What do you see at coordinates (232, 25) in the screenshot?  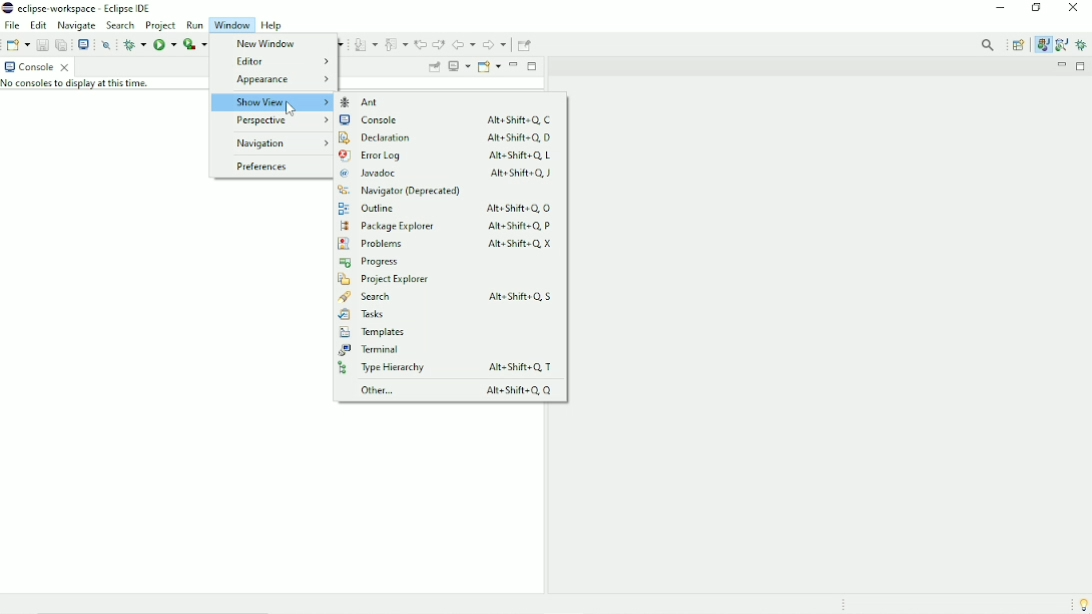 I see `Window` at bounding box center [232, 25].